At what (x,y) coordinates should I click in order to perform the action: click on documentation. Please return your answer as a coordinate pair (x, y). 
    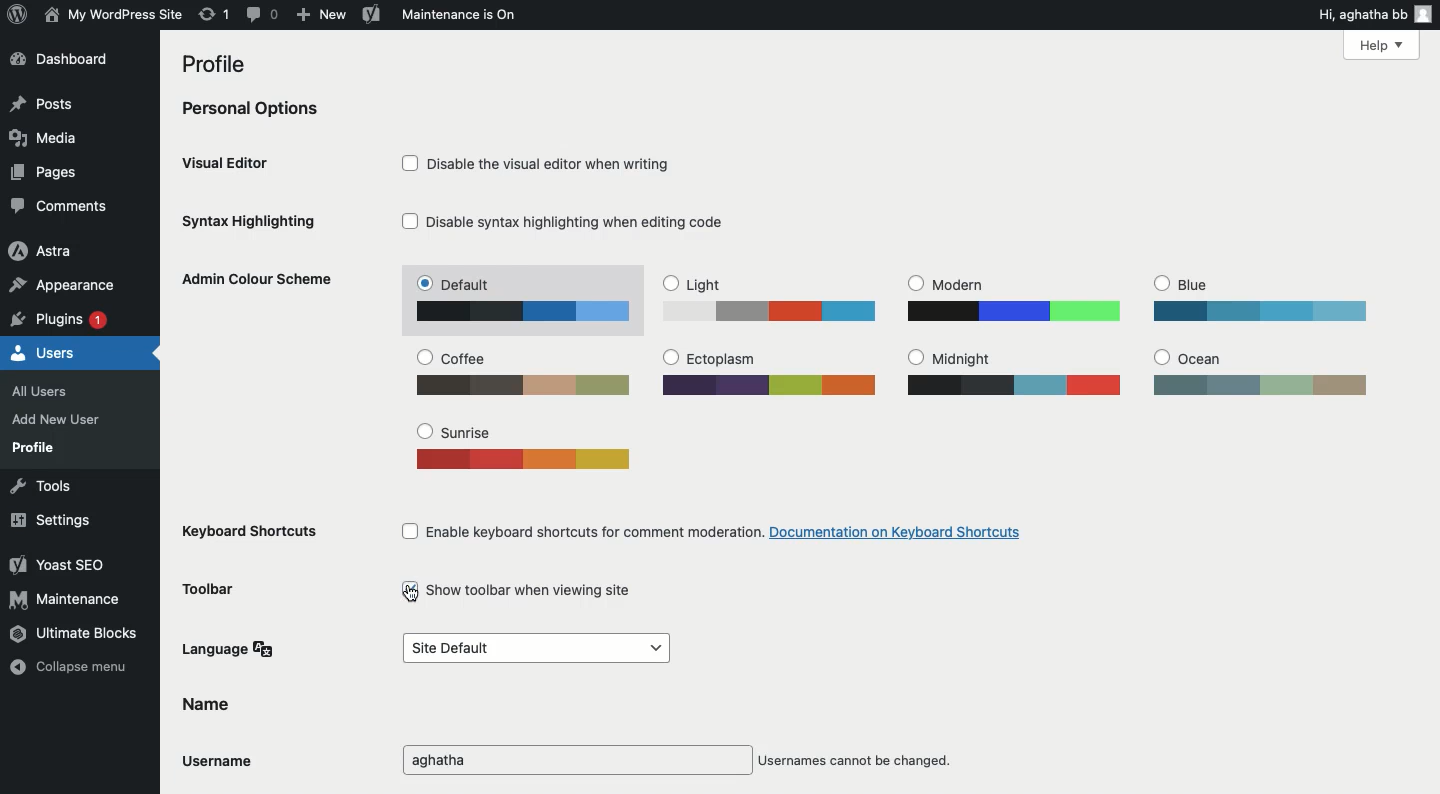
    Looking at the image, I should click on (900, 532).